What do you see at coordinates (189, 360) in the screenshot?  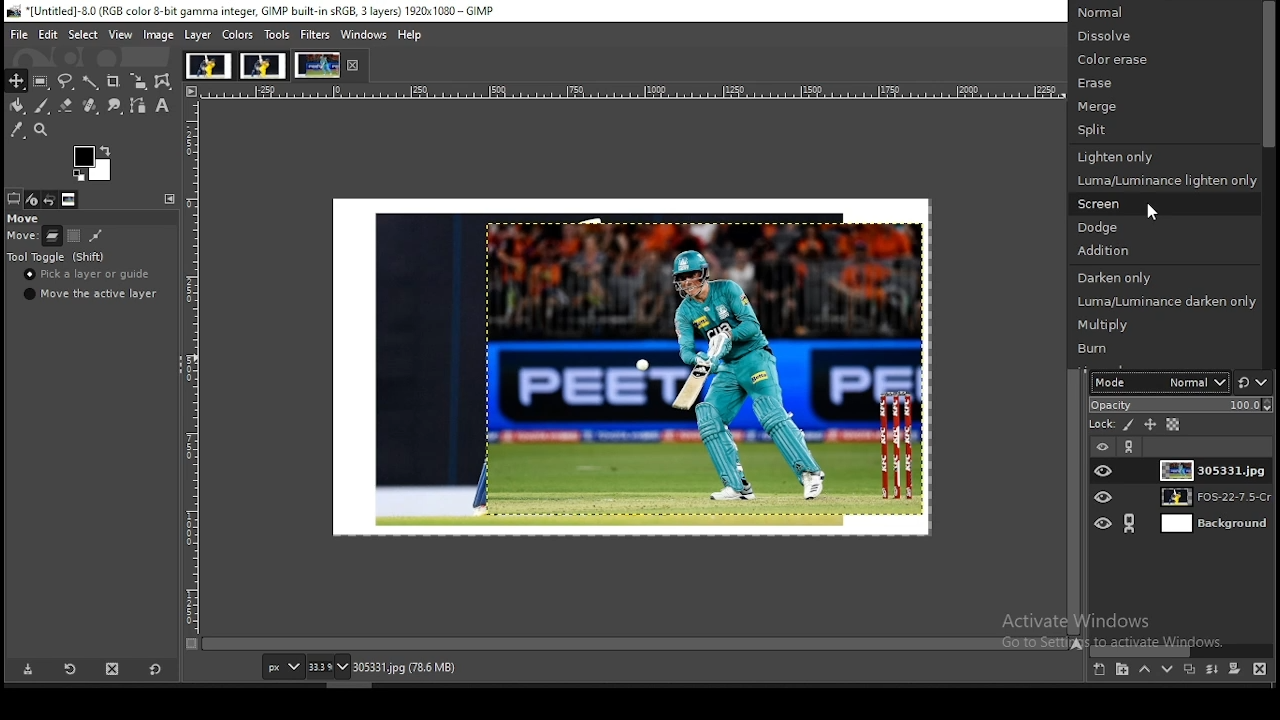 I see `scale` at bounding box center [189, 360].